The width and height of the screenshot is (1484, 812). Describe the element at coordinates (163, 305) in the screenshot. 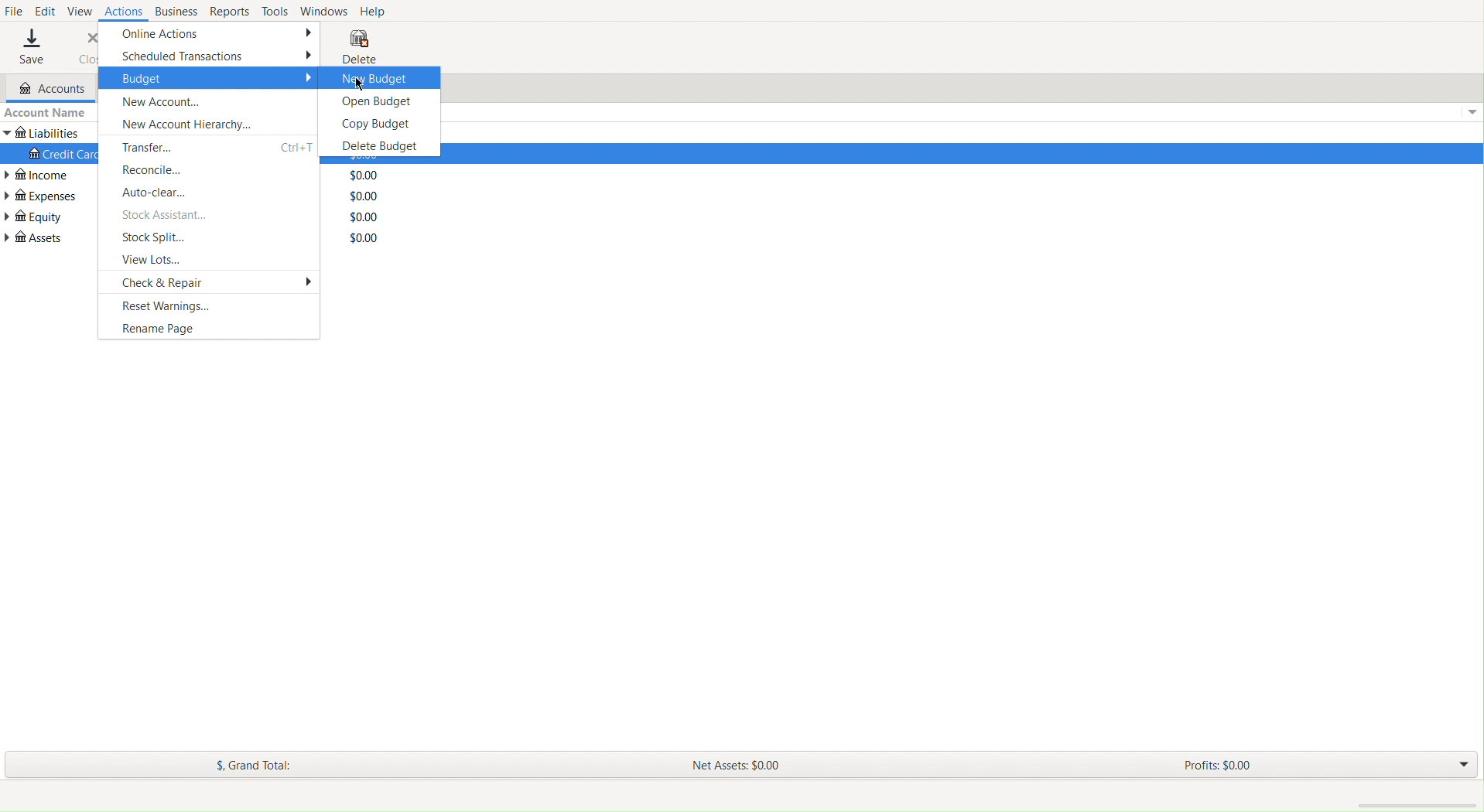

I see `Reset Warnings` at that location.